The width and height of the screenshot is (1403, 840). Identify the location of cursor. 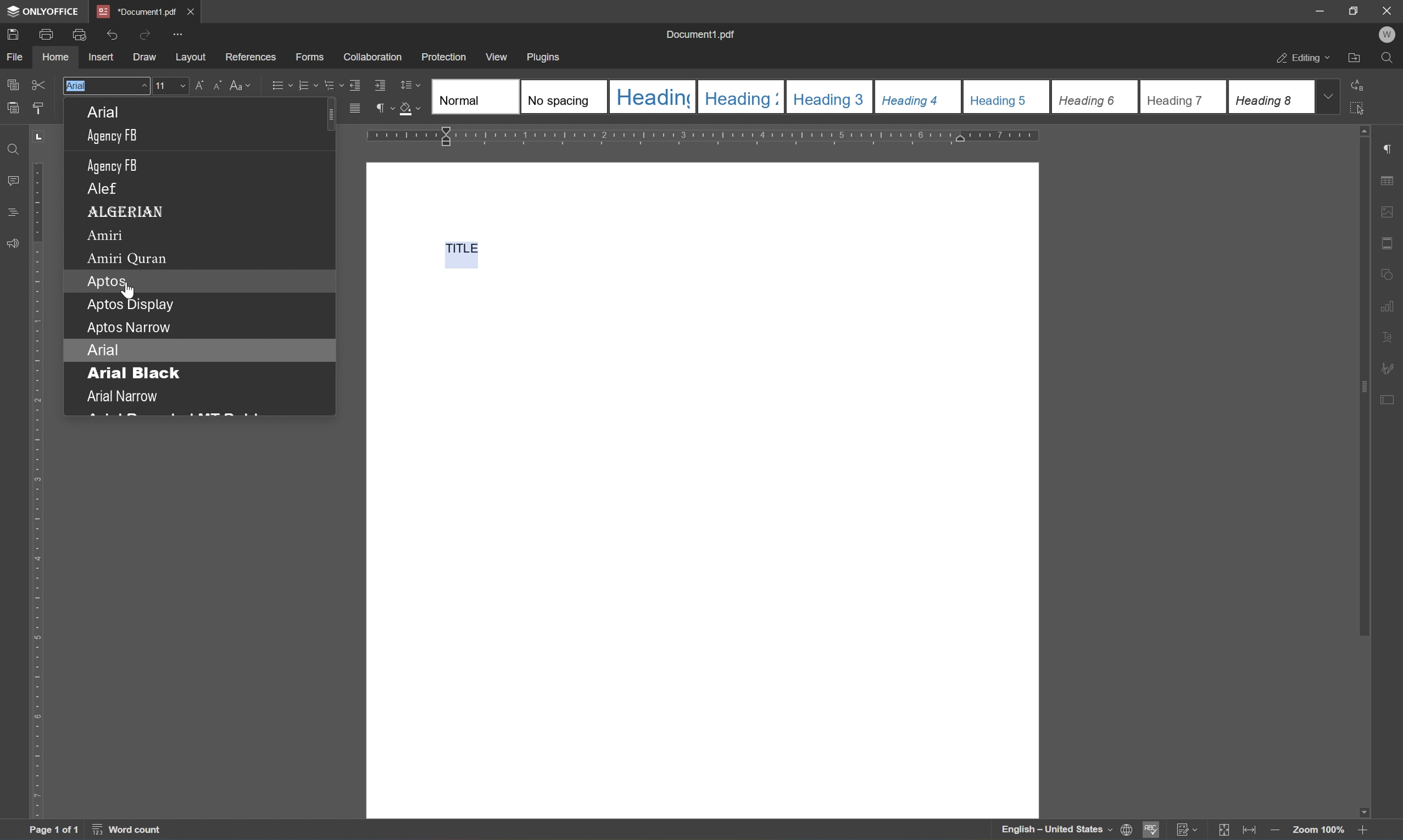
(130, 292).